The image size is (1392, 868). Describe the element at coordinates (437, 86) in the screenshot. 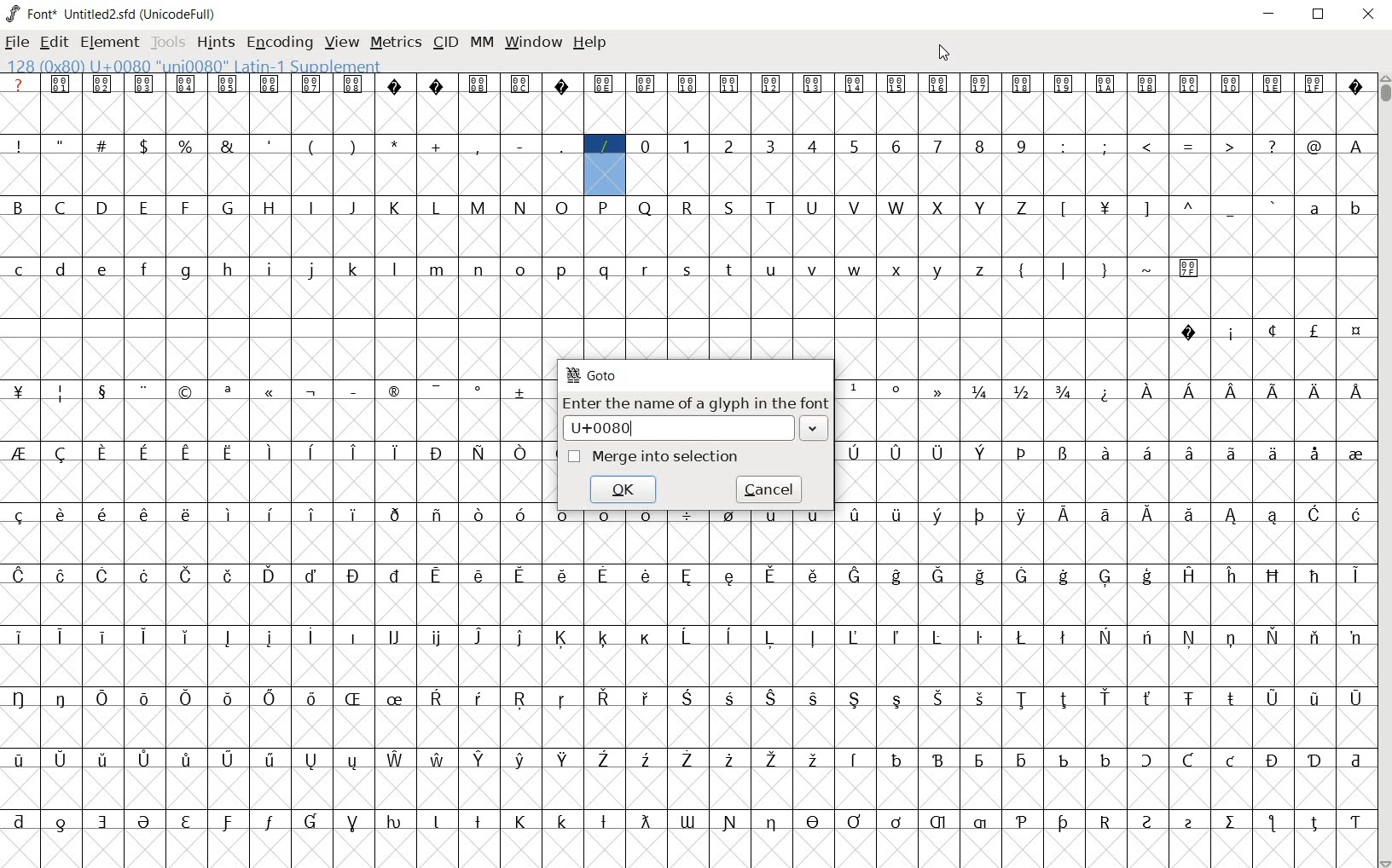

I see `glyph` at that location.